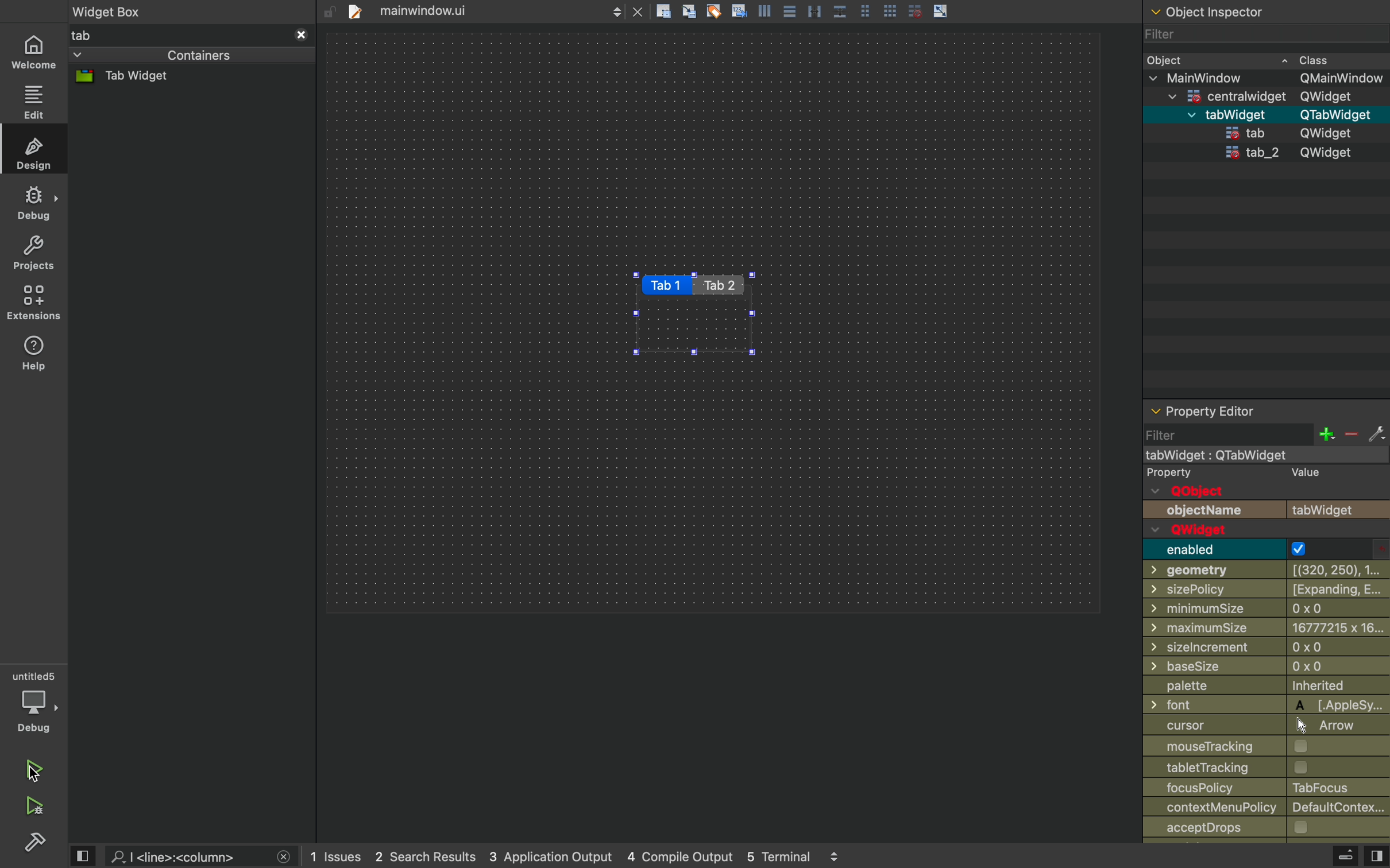 This screenshot has height=868, width=1390. What do you see at coordinates (1261, 747) in the screenshot?
I see `mousetarcking` at bounding box center [1261, 747].